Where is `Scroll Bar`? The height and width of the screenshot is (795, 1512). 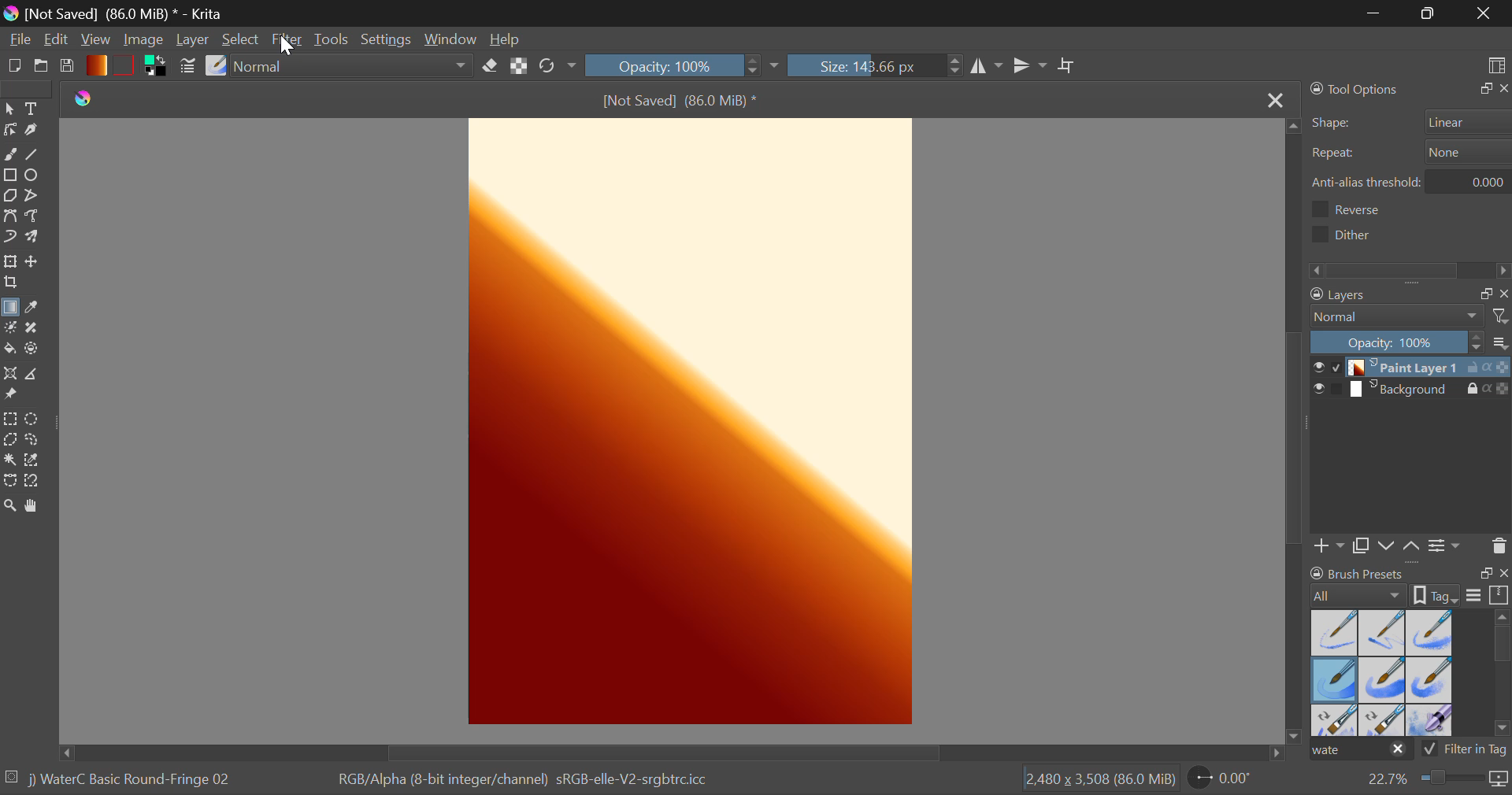
Scroll Bar is located at coordinates (1299, 423).